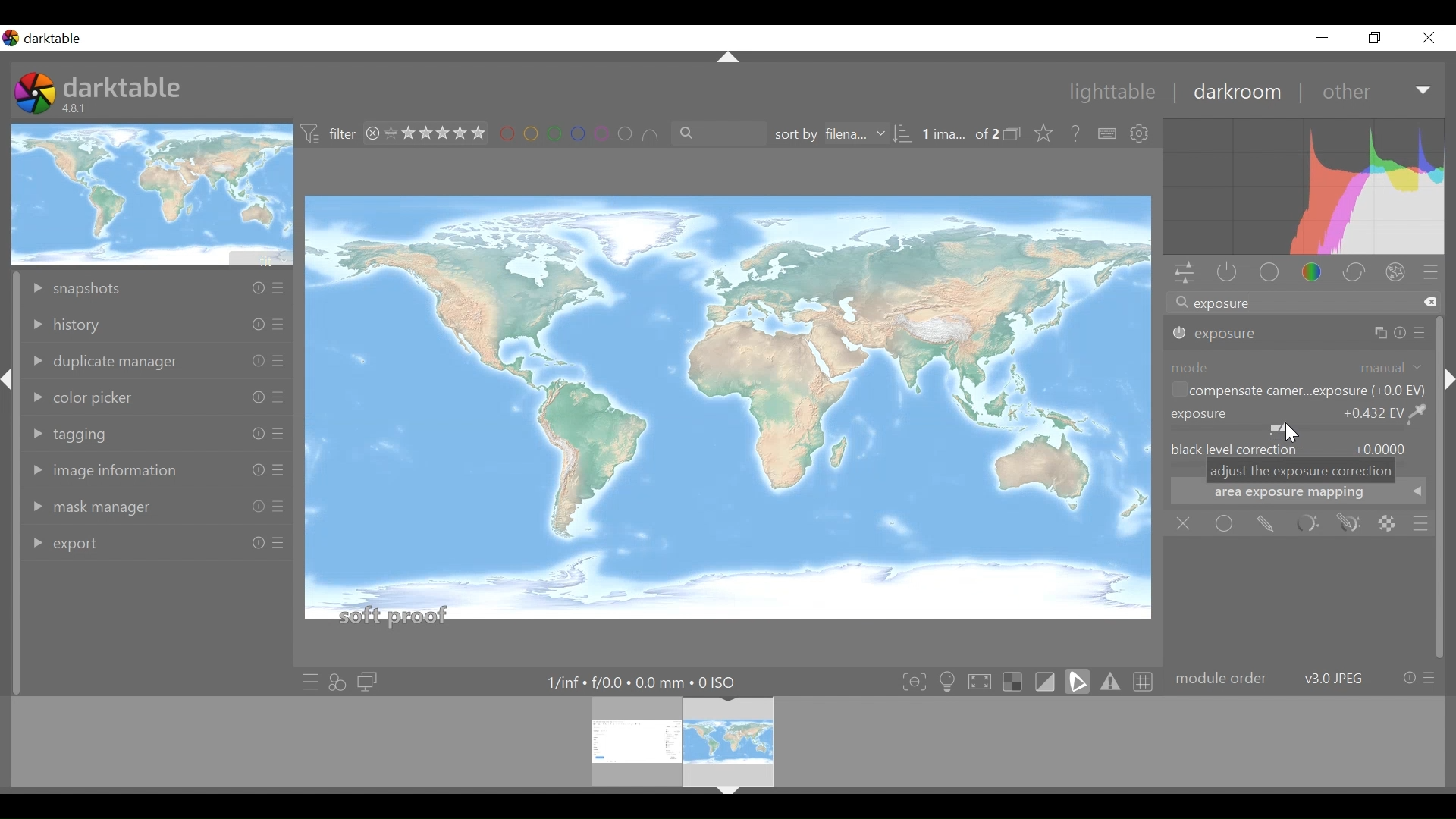 This screenshot has width=1456, height=819. What do you see at coordinates (278, 472) in the screenshot?
I see `` at bounding box center [278, 472].